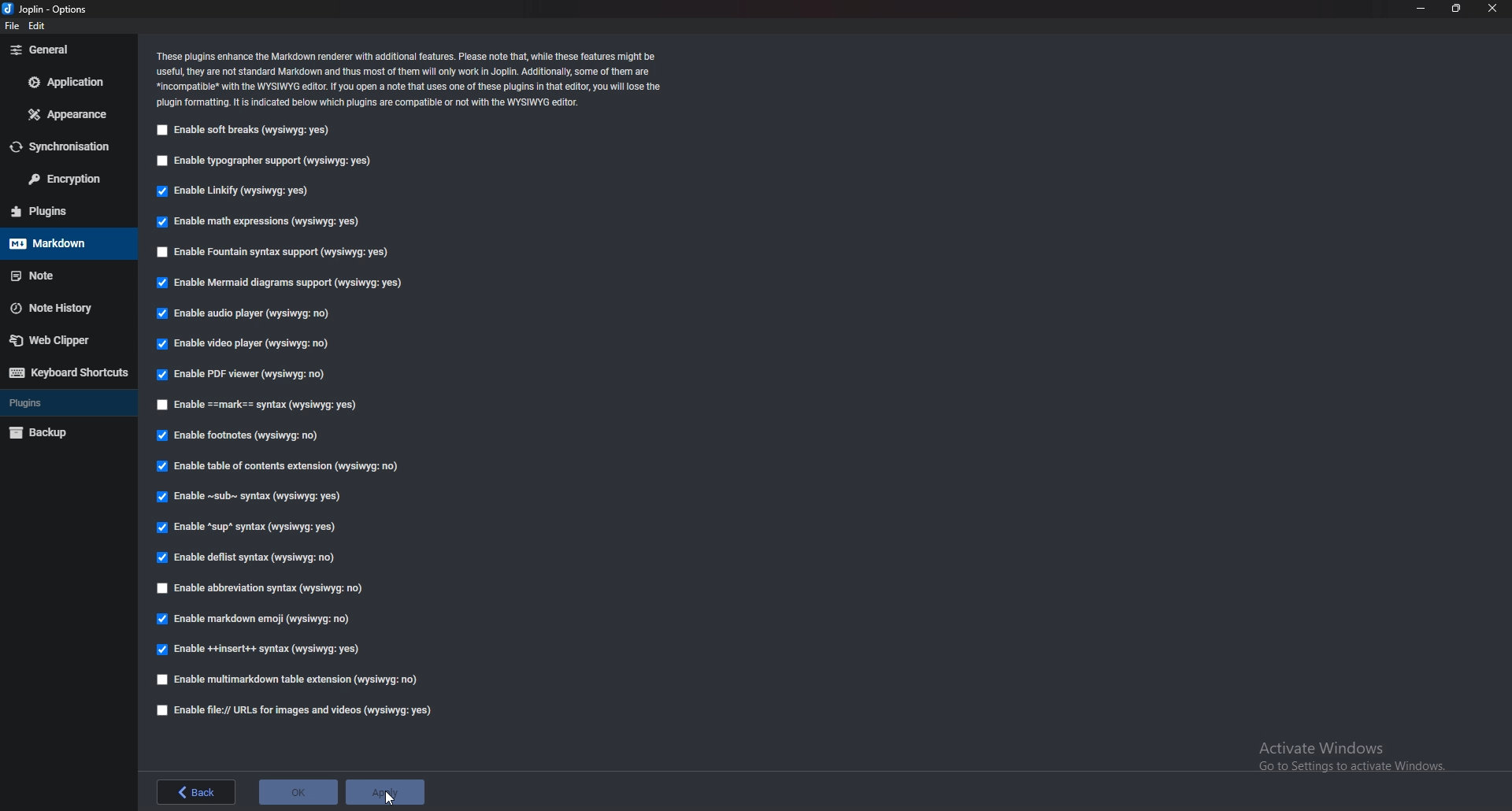 This screenshot has height=811, width=1512. I want to click on Plugins, so click(59, 211).